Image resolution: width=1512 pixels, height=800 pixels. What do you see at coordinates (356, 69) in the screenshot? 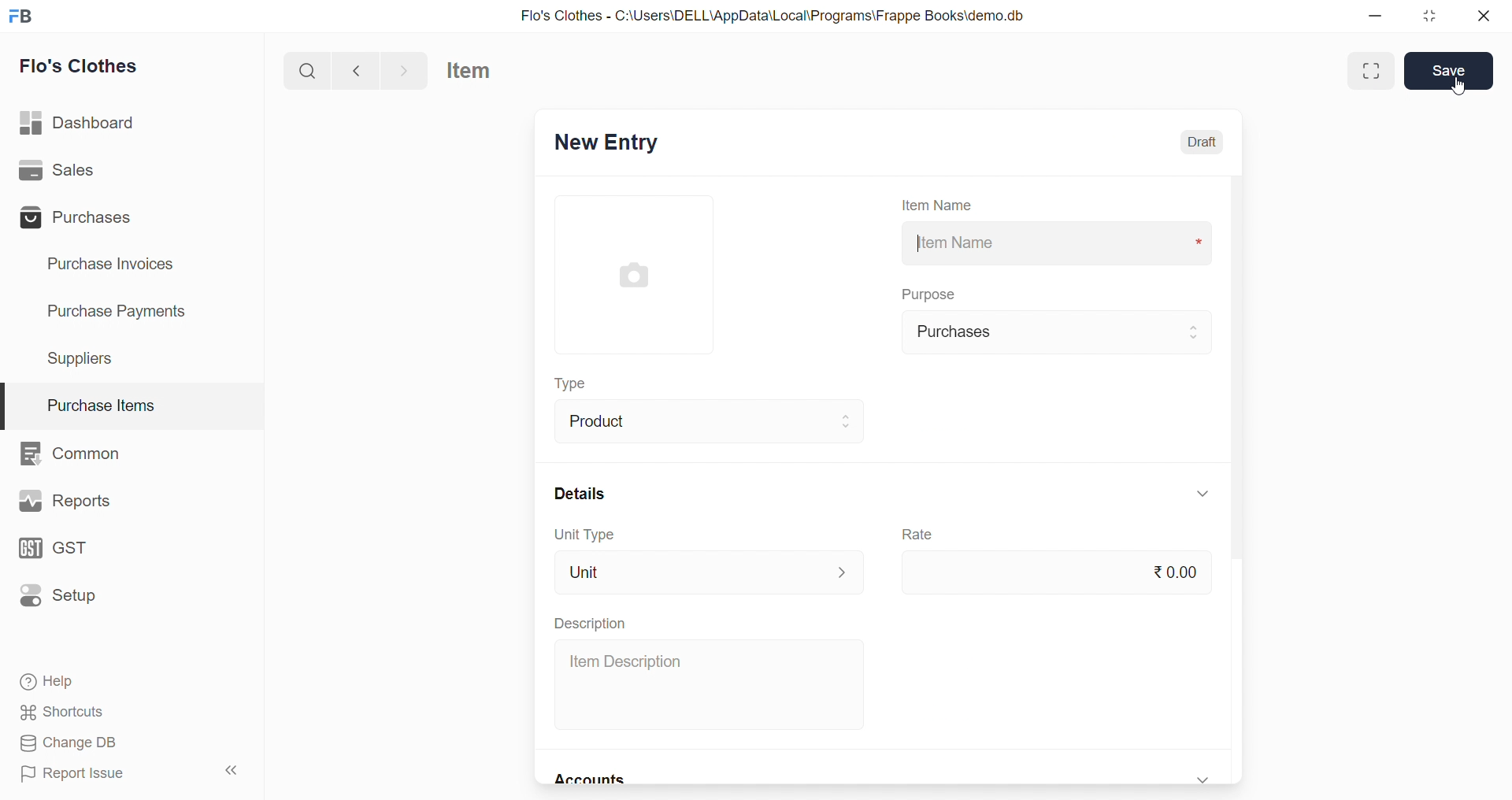
I see `navigate backward` at bounding box center [356, 69].